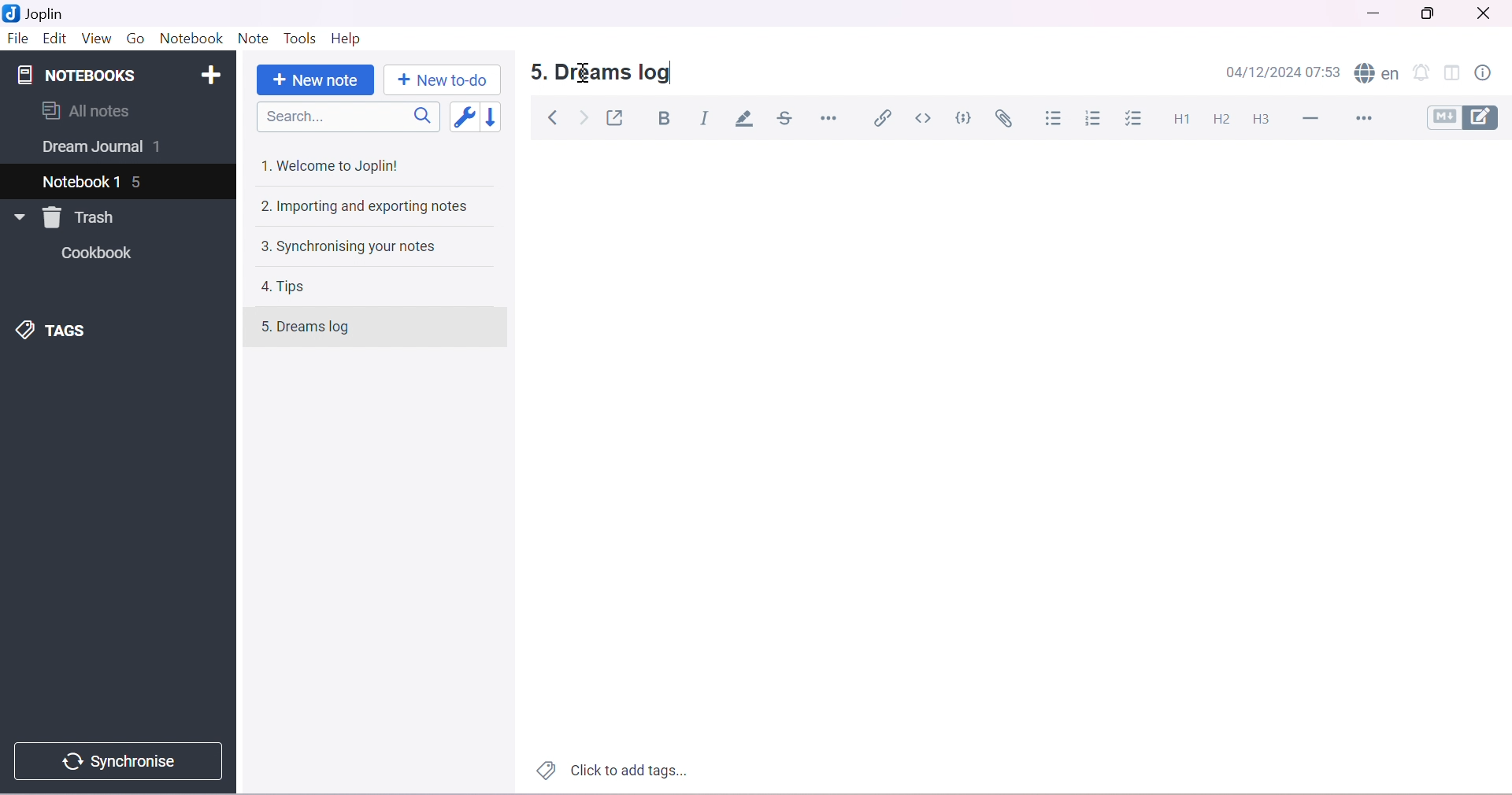 This screenshot has height=795, width=1512. Describe the element at coordinates (86, 110) in the screenshot. I see `All notes` at that location.